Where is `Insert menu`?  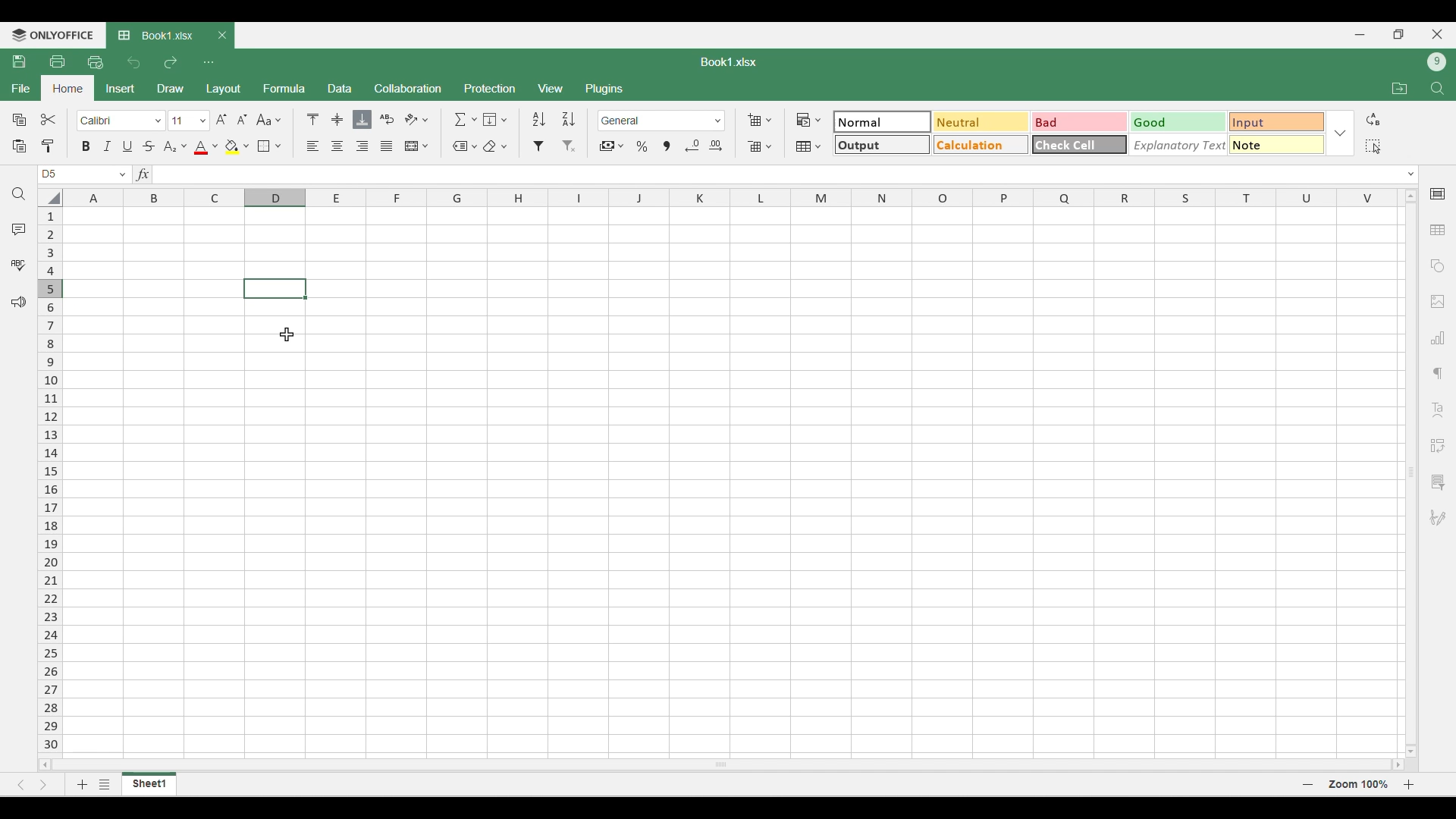
Insert menu is located at coordinates (121, 89).